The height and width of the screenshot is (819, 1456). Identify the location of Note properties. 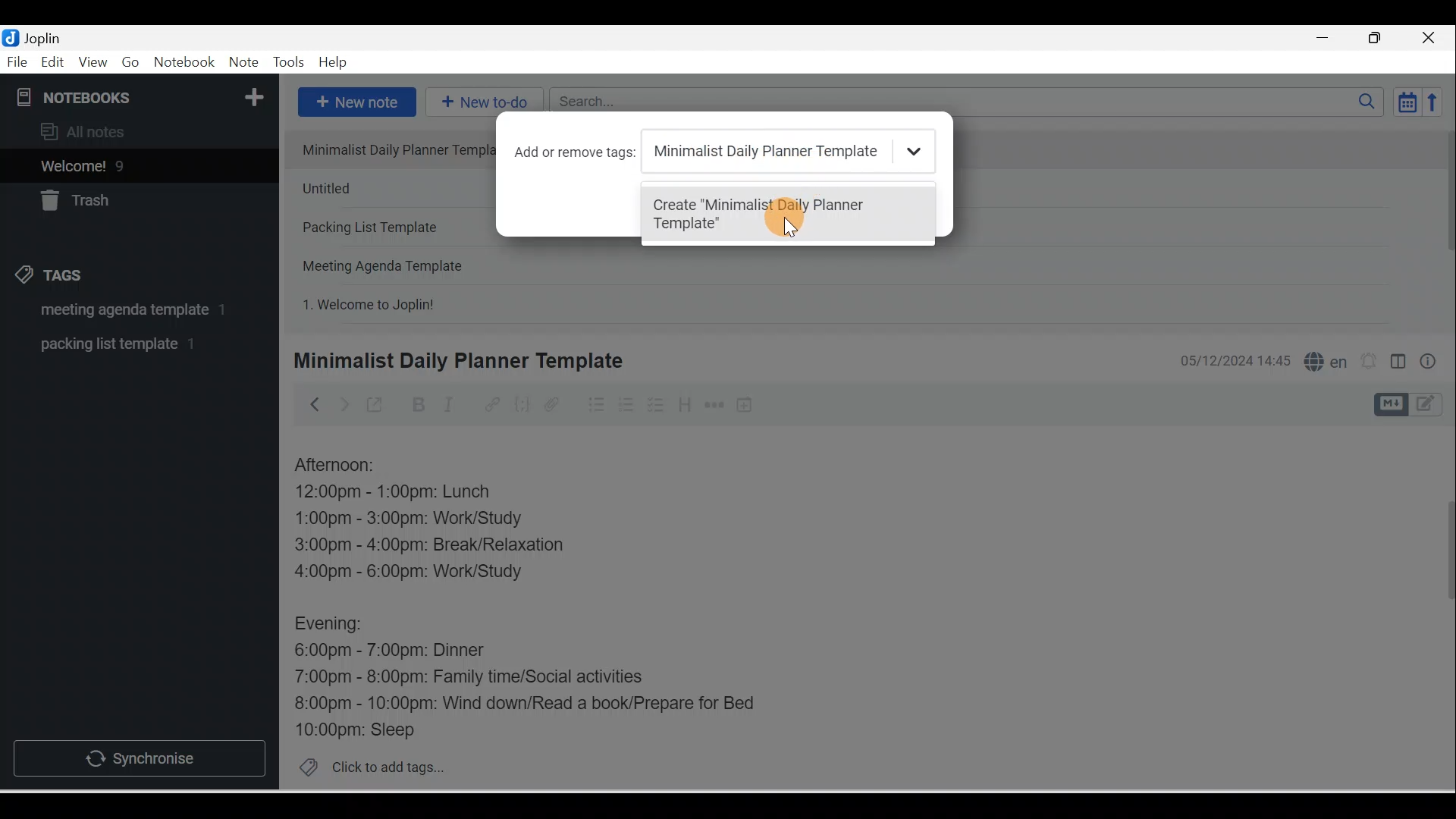
(1429, 363).